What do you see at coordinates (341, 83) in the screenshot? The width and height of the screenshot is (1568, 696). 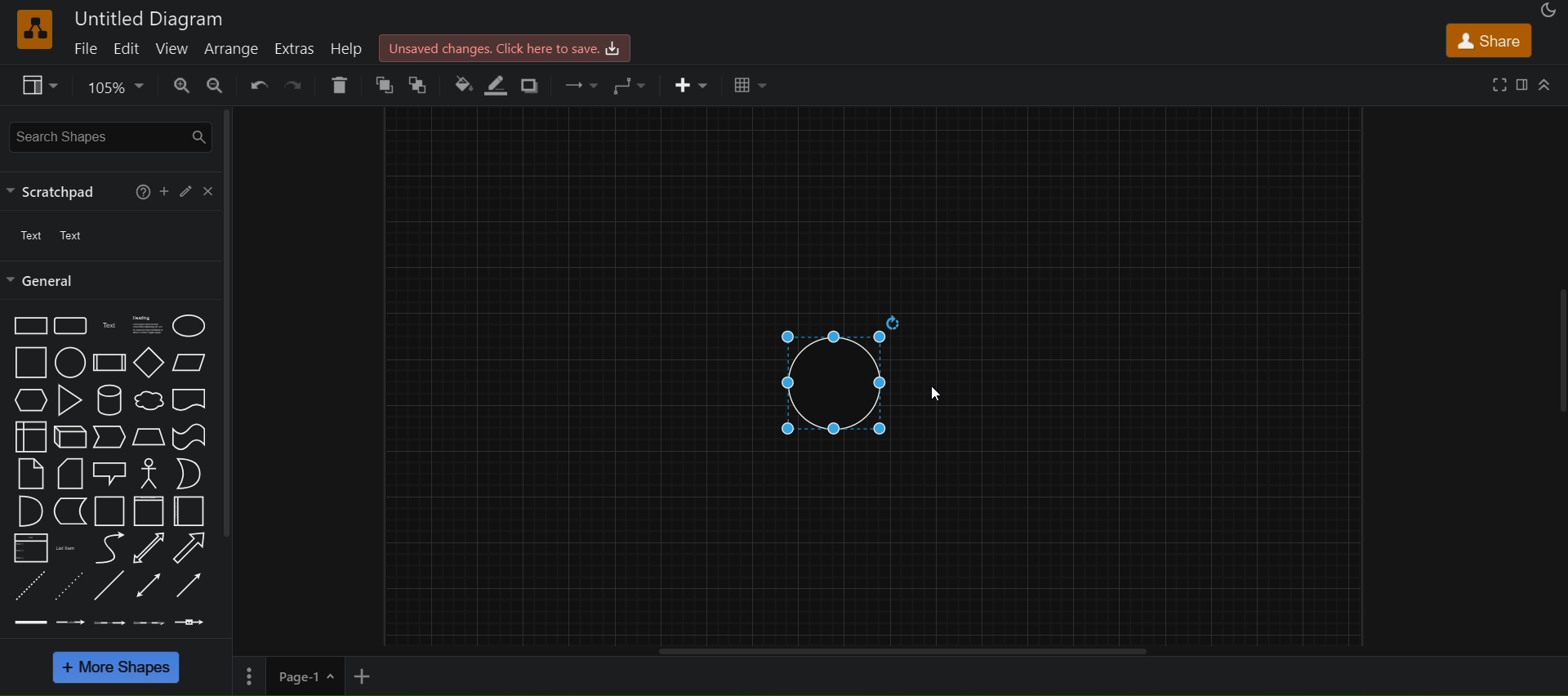 I see `delete` at bounding box center [341, 83].